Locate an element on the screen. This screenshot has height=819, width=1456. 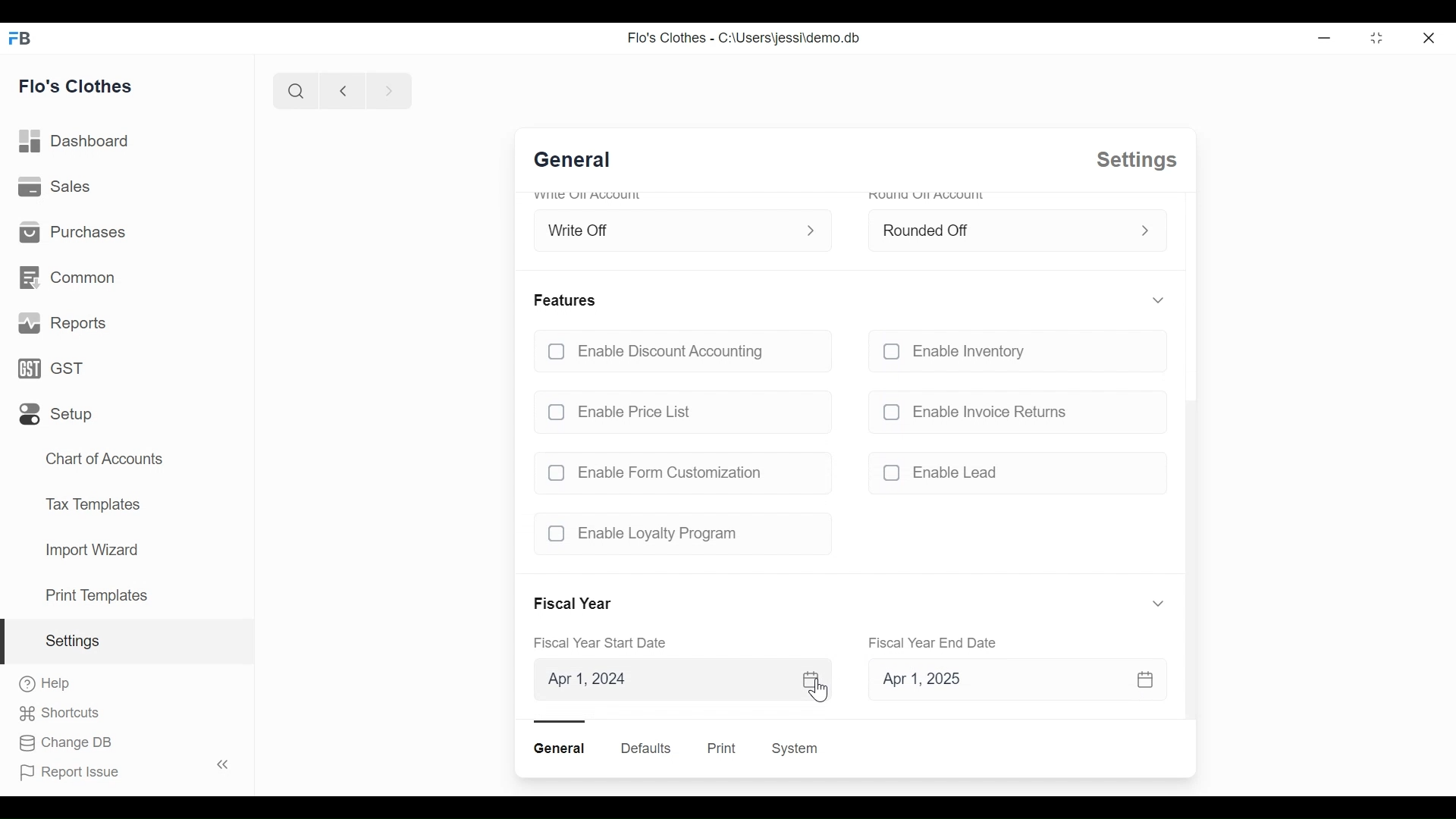
Help is located at coordinates (45, 685).